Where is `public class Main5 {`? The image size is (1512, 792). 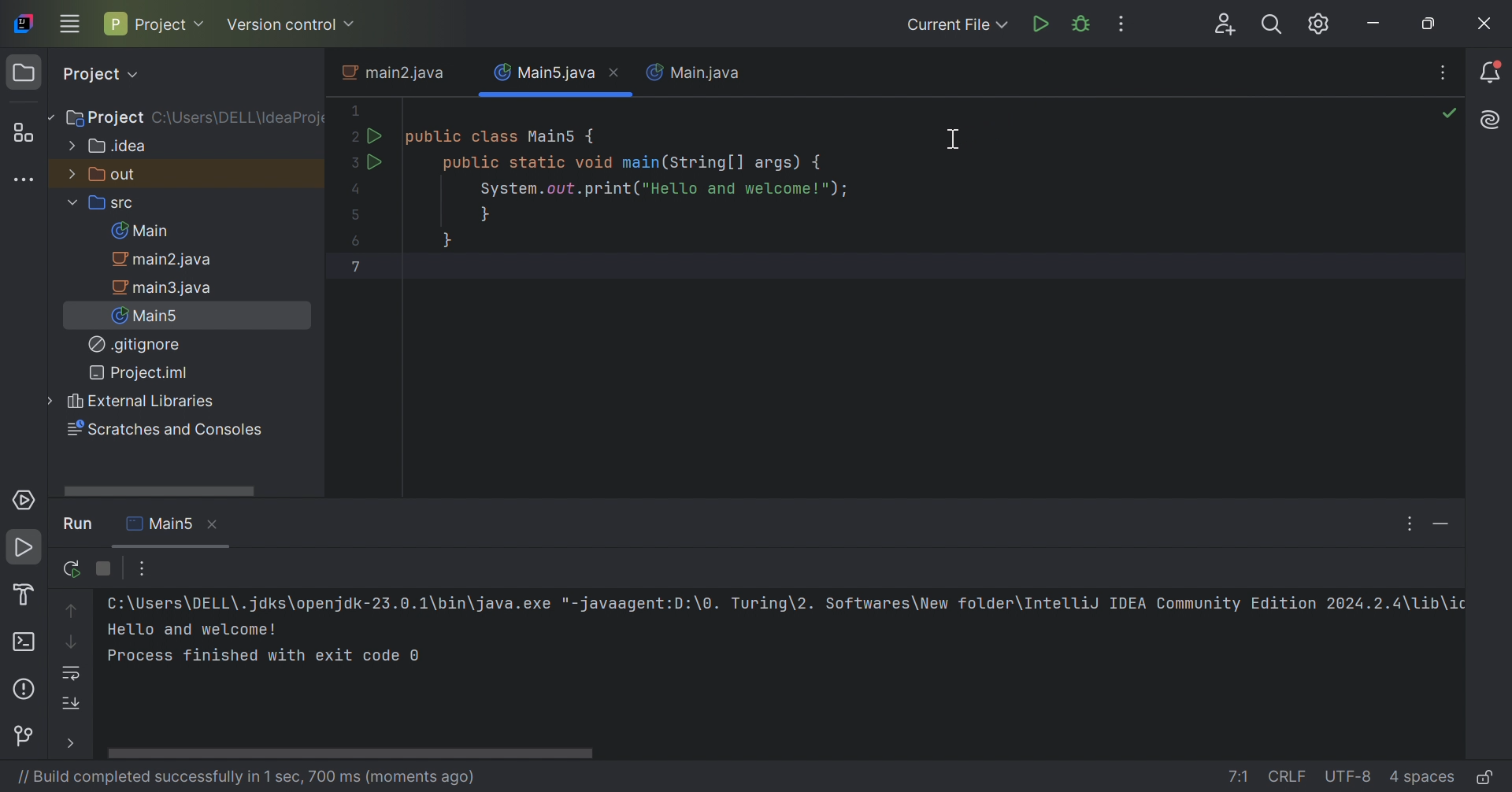 public class Main5 { is located at coordinates (503, 138).